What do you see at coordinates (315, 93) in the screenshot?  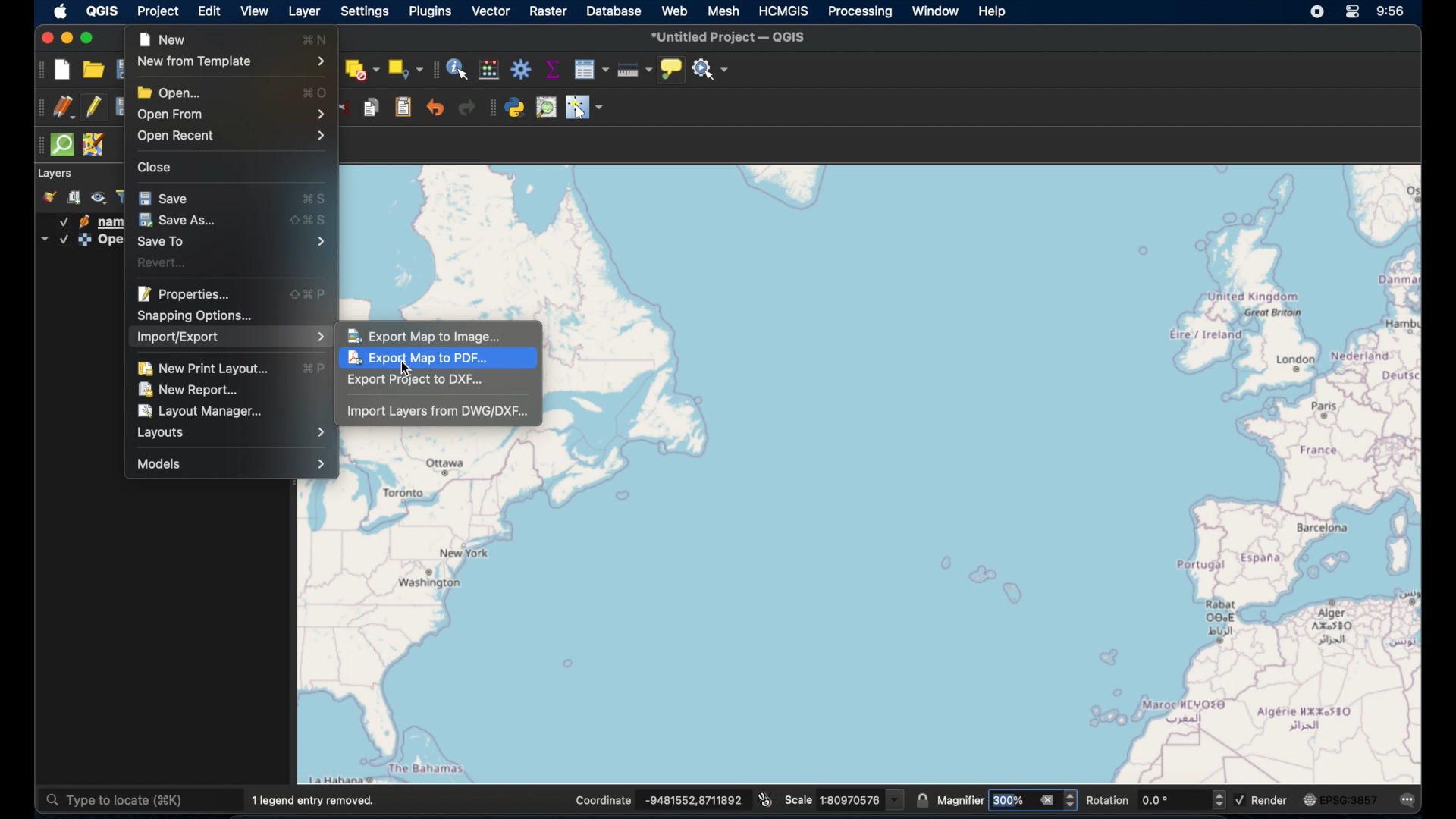 I see `open shortcut` at bounding box center [315, 93].